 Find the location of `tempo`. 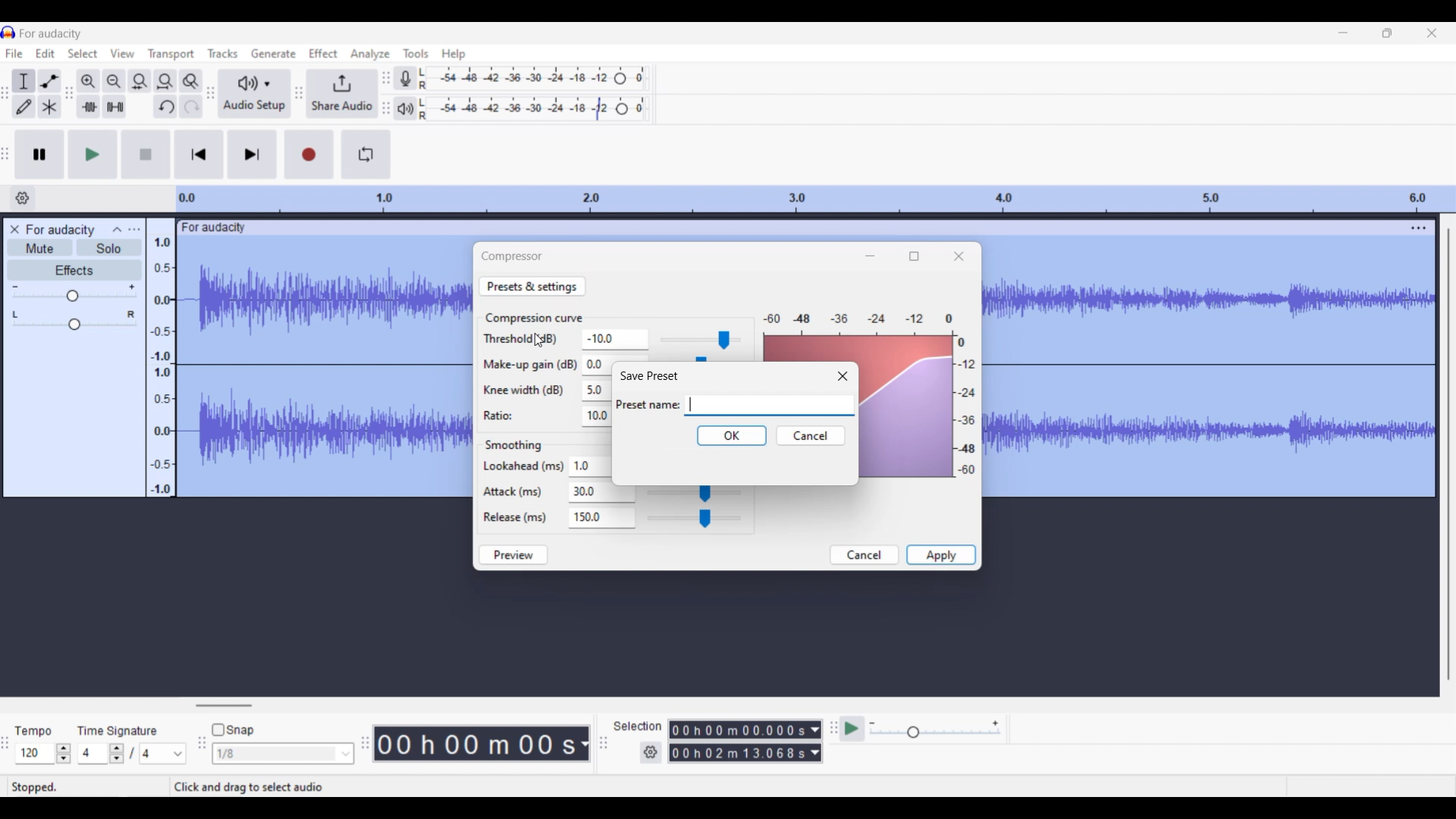

tempo is located at coordinates (33, 731).